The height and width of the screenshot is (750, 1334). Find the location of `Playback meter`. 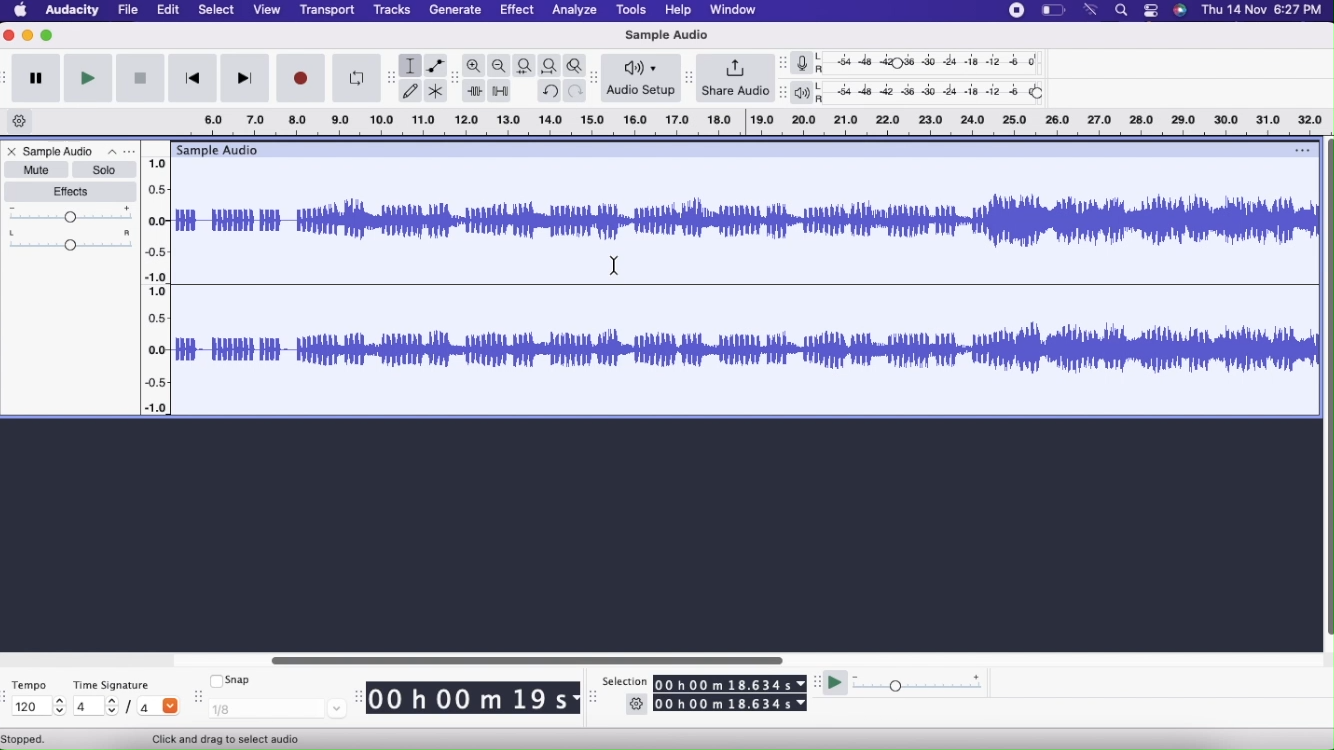

Playback meter is located at coordinates (808, 93).